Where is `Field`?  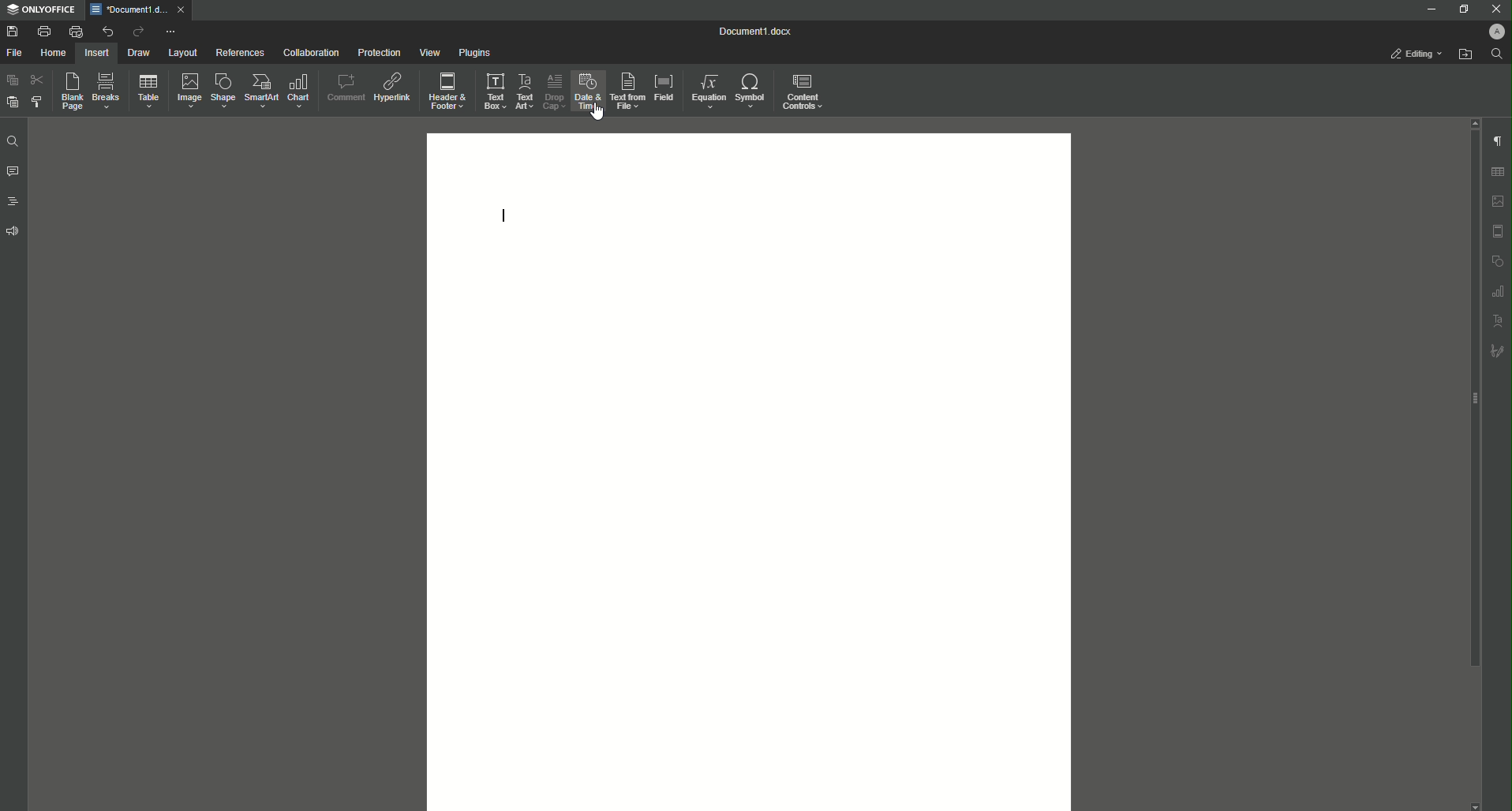
Field is located at coordinates (664, 88).